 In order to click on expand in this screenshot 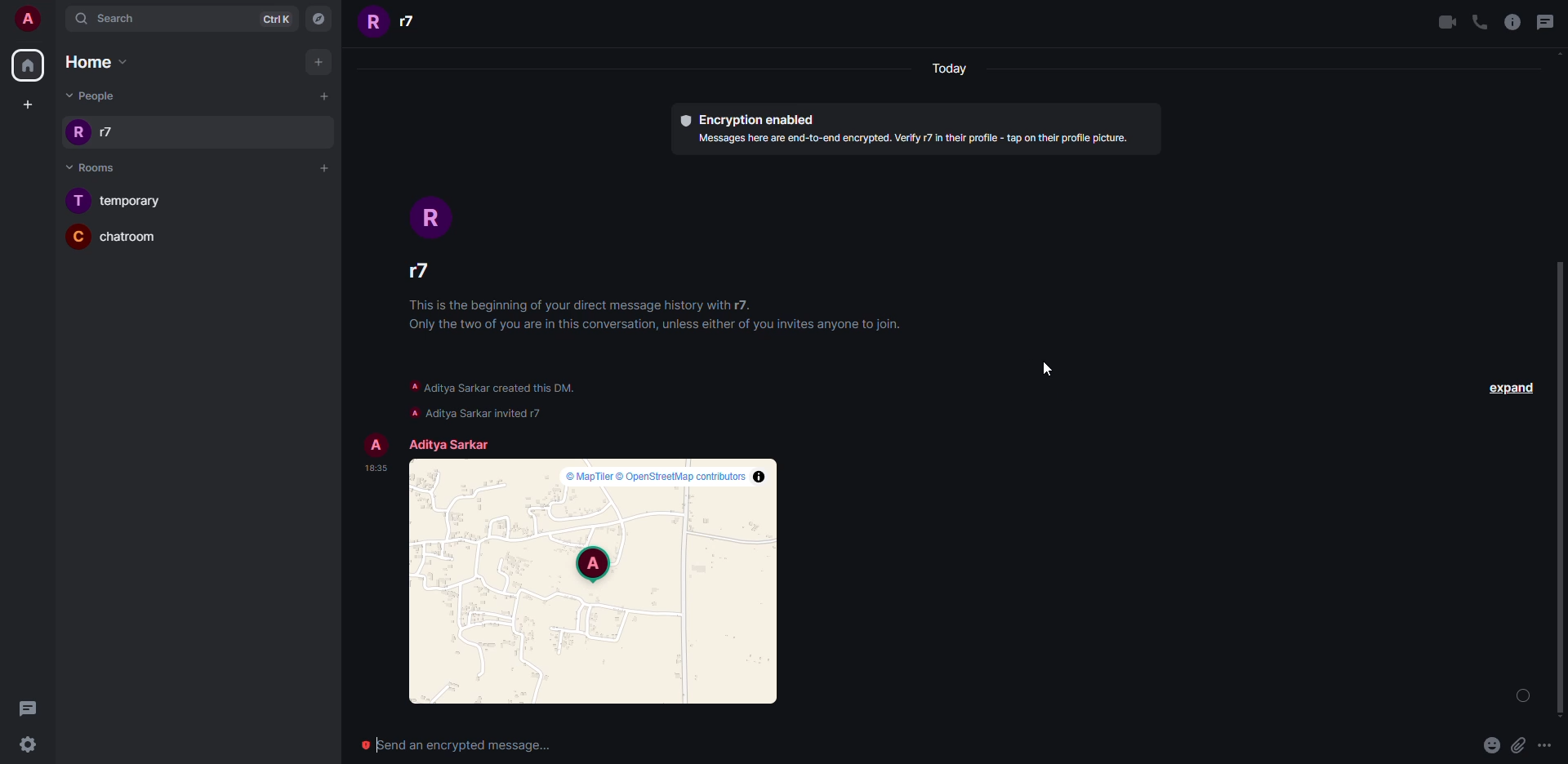, I will do `click(1508, 388)`.